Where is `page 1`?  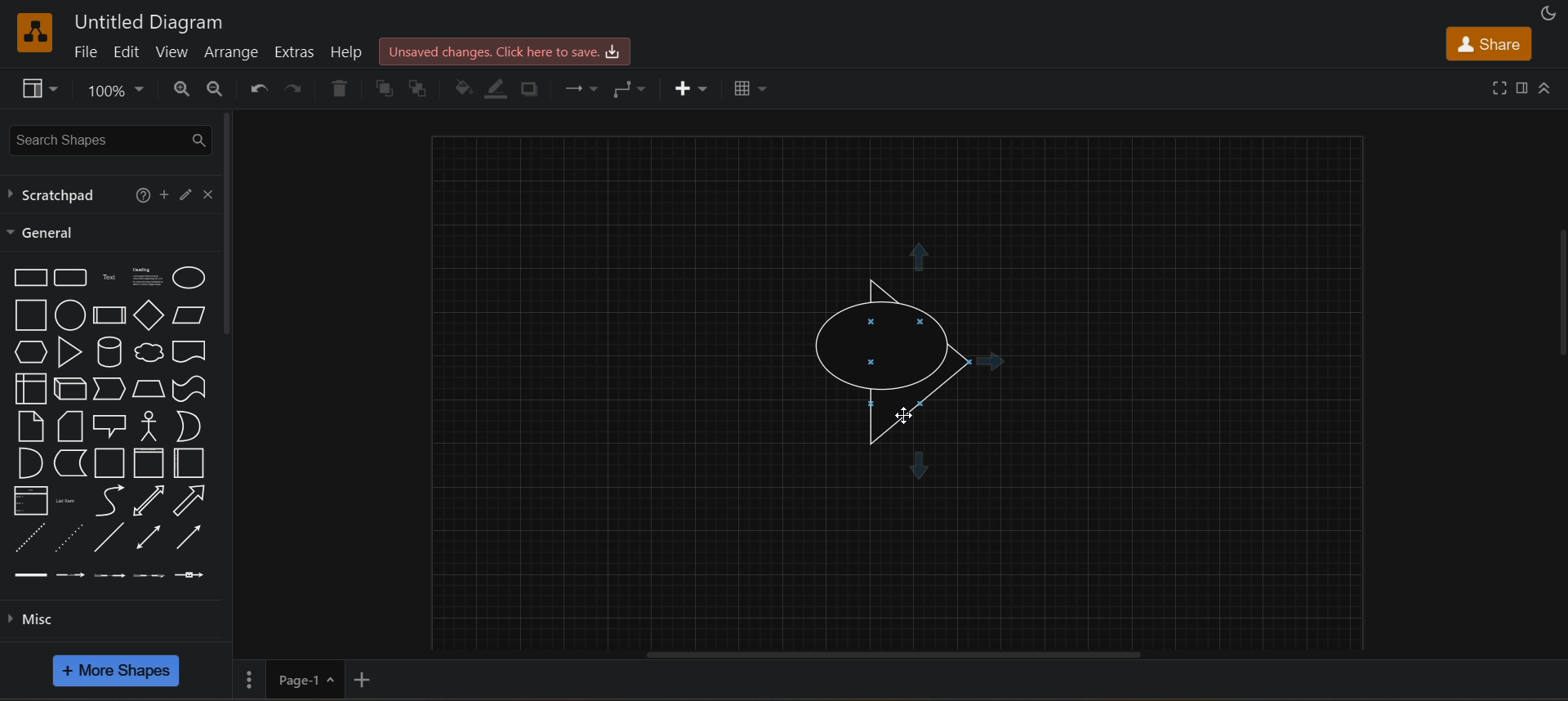
page 1 is located at coordinates (291, 678).